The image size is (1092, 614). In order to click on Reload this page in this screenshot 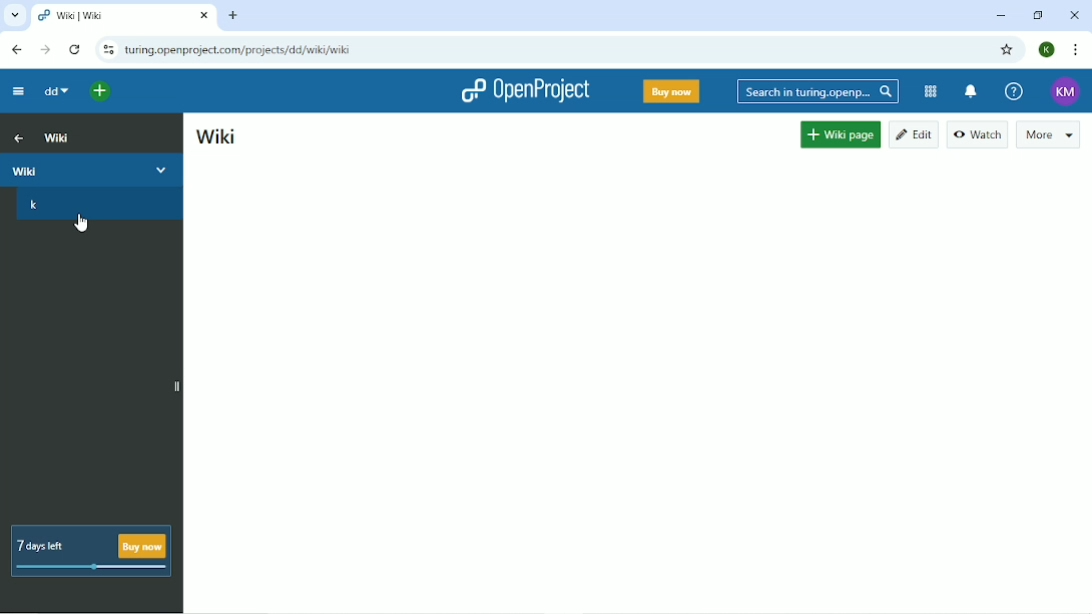, I will do `click(74, 50)`.